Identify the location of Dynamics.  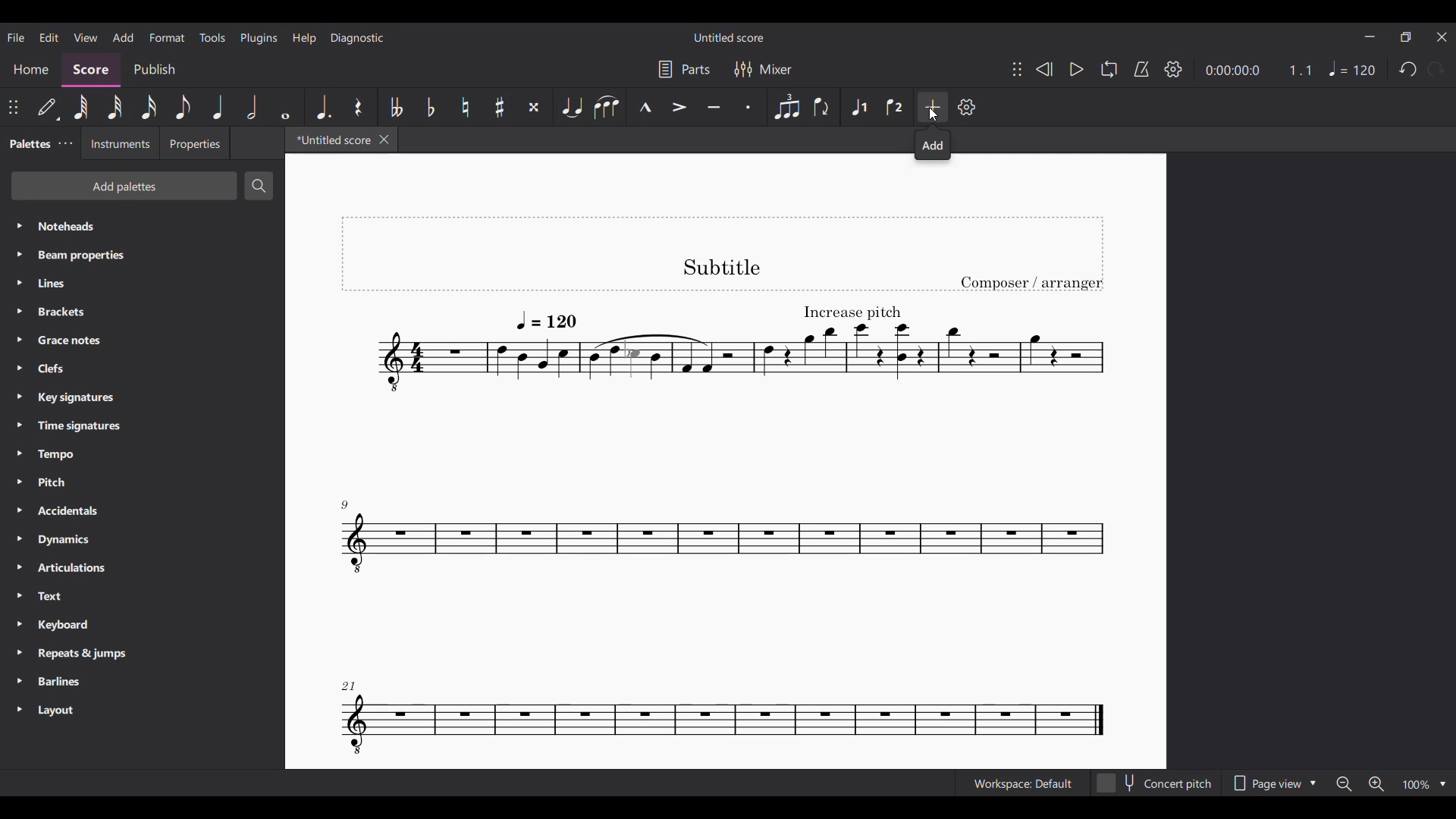
(143, 539).